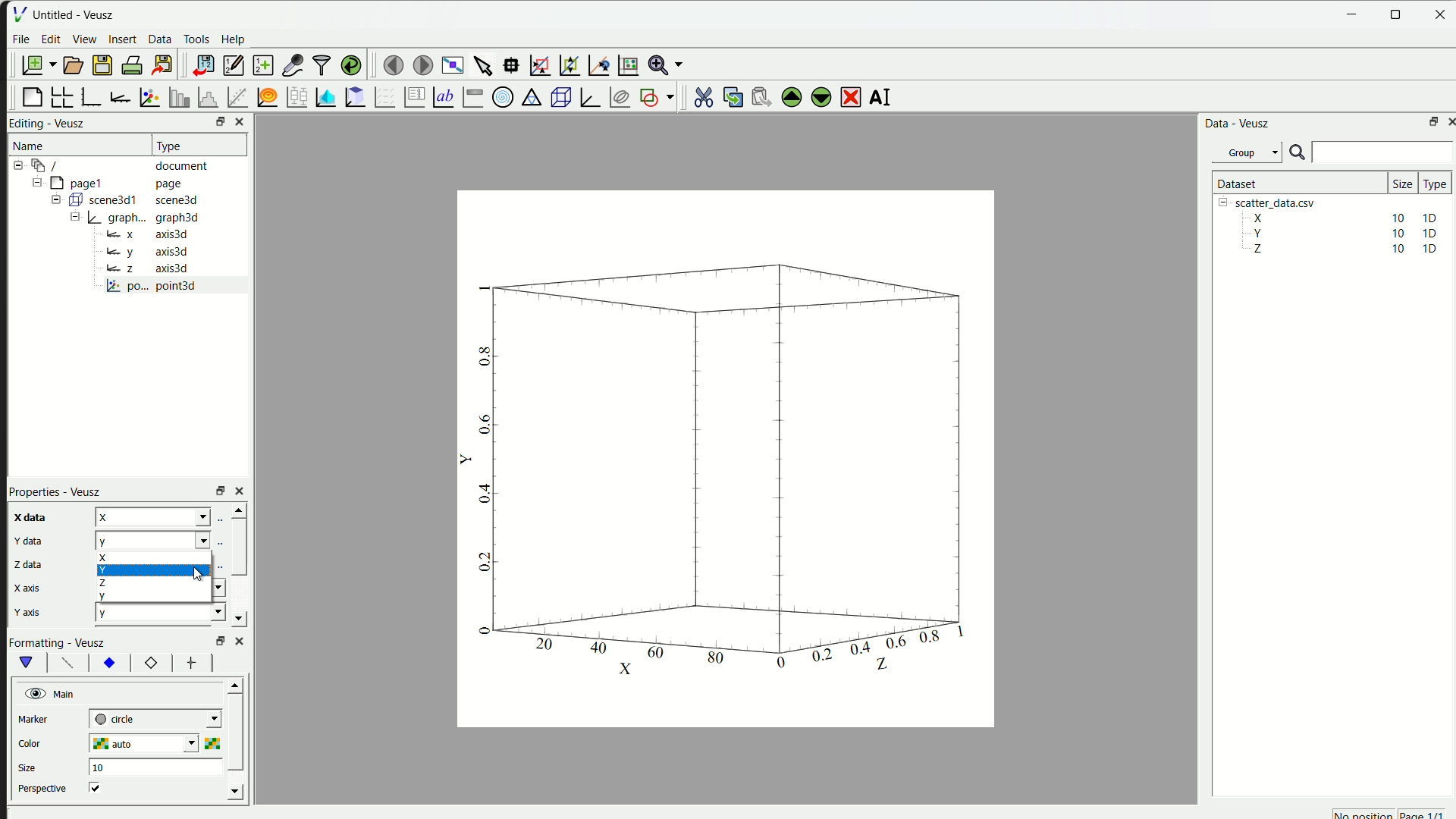  What do you see at coordinates (35, 64) in the screenshot?
I see `new document` at bounding box center [35, 64].